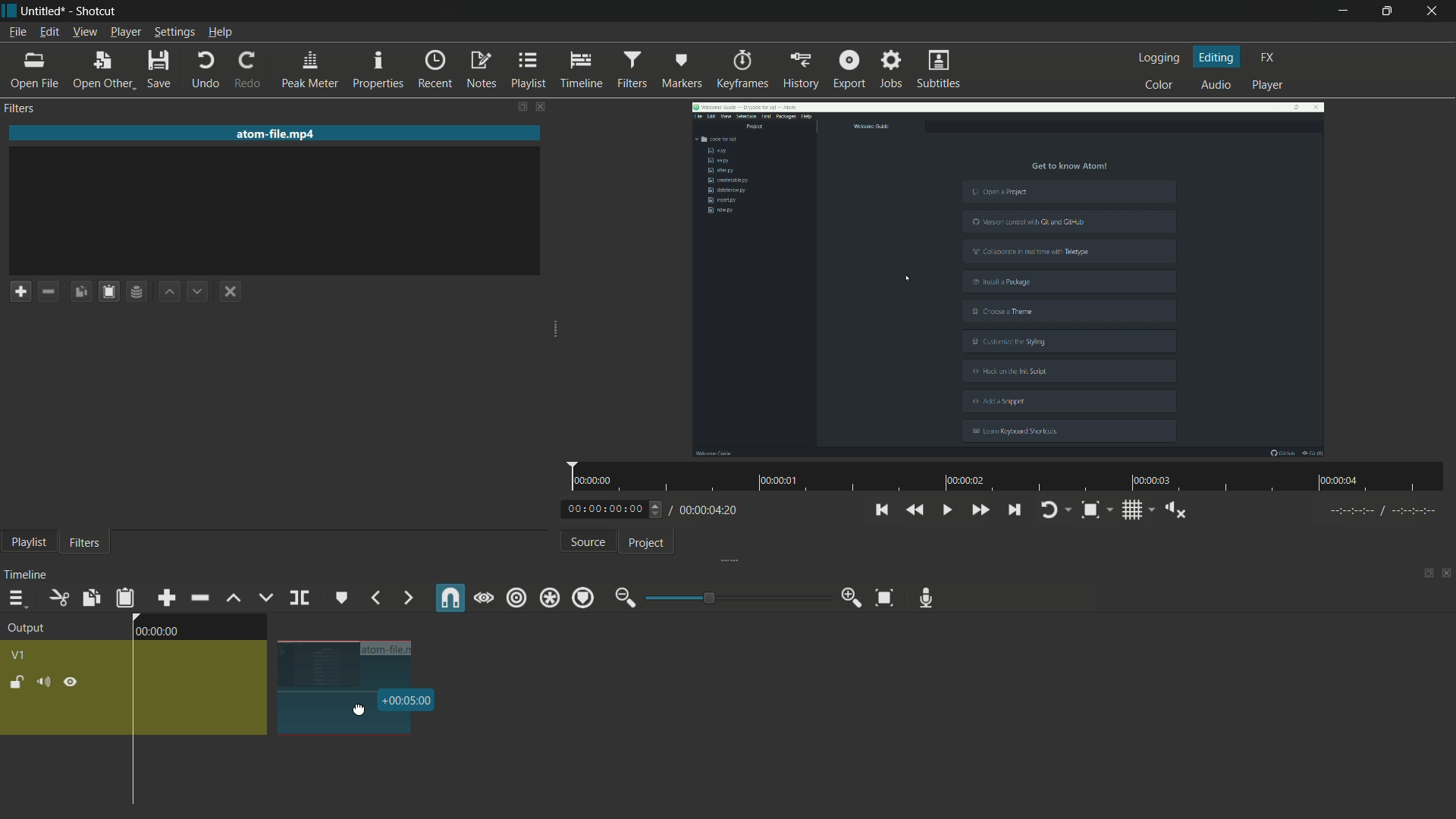  Describe the element at coordinates (1435, 11) in the screenshot. I see `close app` at that location.